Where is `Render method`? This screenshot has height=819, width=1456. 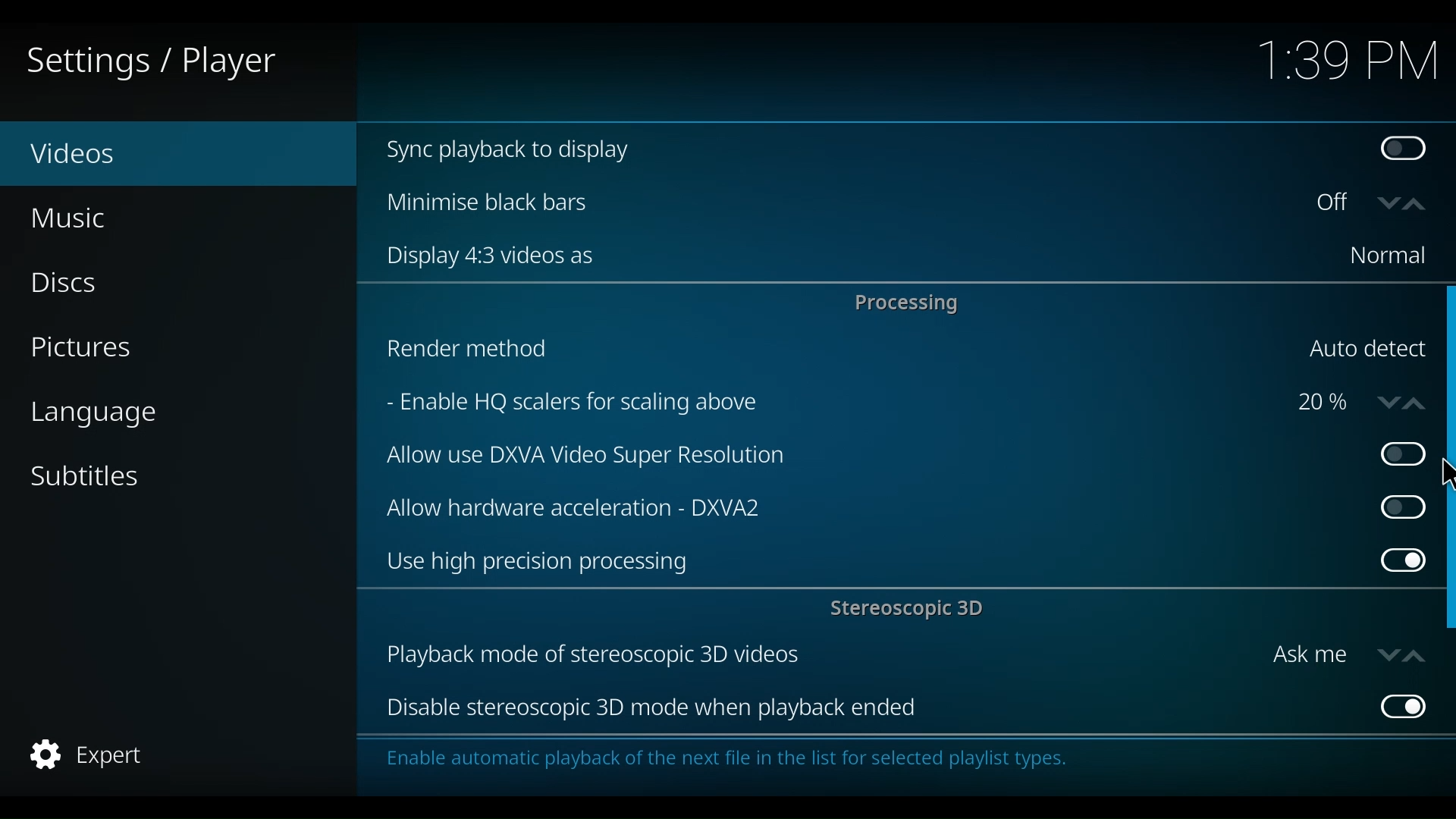 Render method is located at coordinates (830, 352).